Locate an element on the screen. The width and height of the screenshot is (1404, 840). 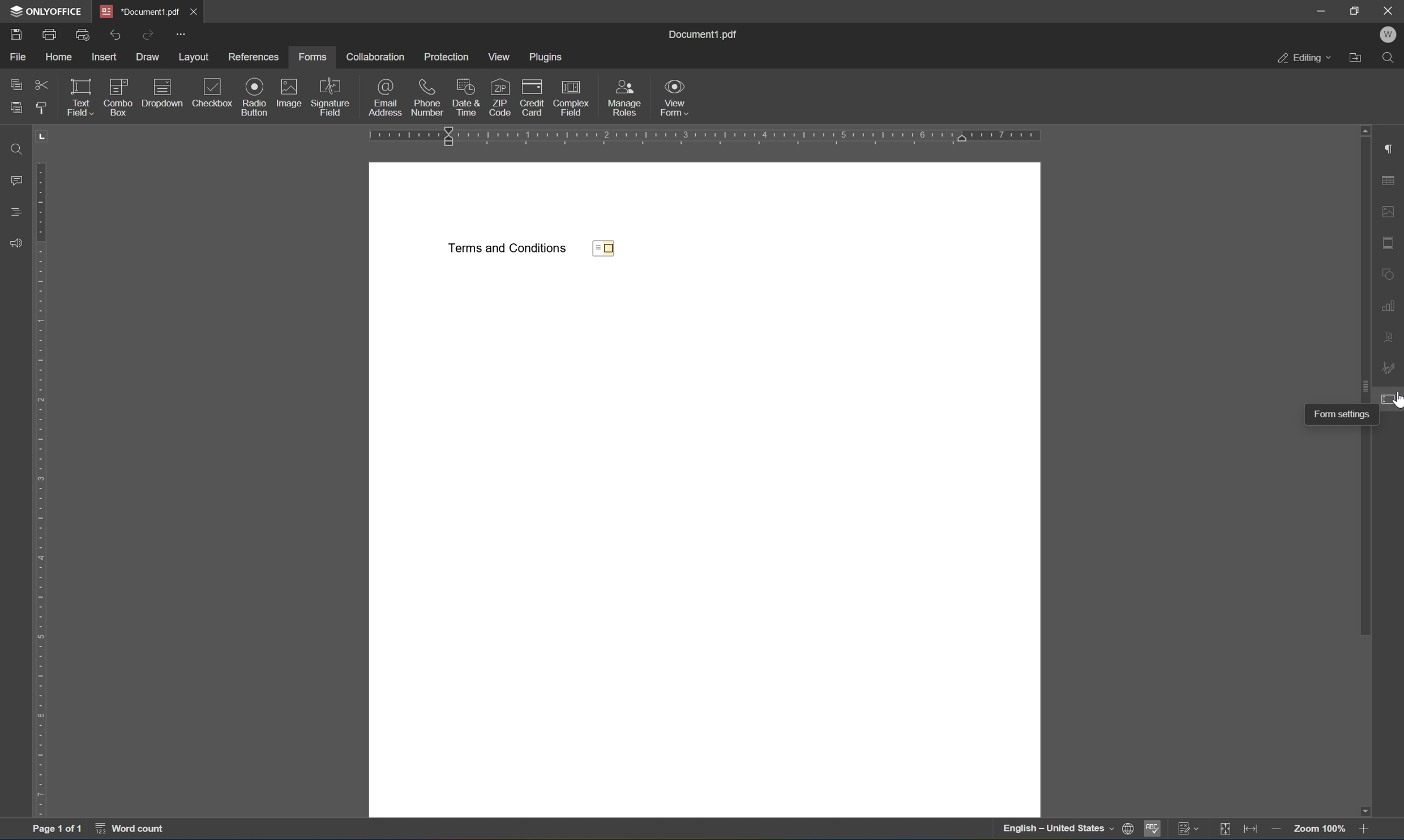
phone number is located at coordinates (427, 97).